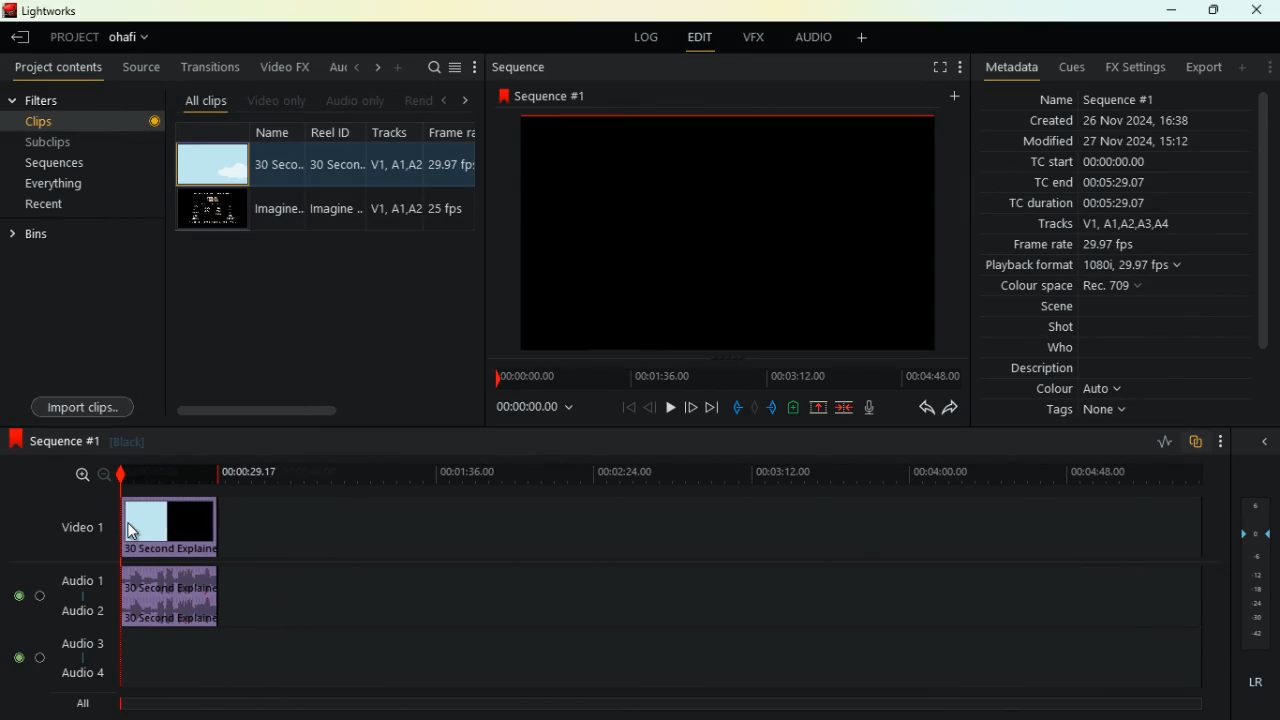 This screenshot has height=720, width=1280. What do you see at coordinates (736, 409) in the screenshot?
I see `pull` at bounding box center [736, 409].